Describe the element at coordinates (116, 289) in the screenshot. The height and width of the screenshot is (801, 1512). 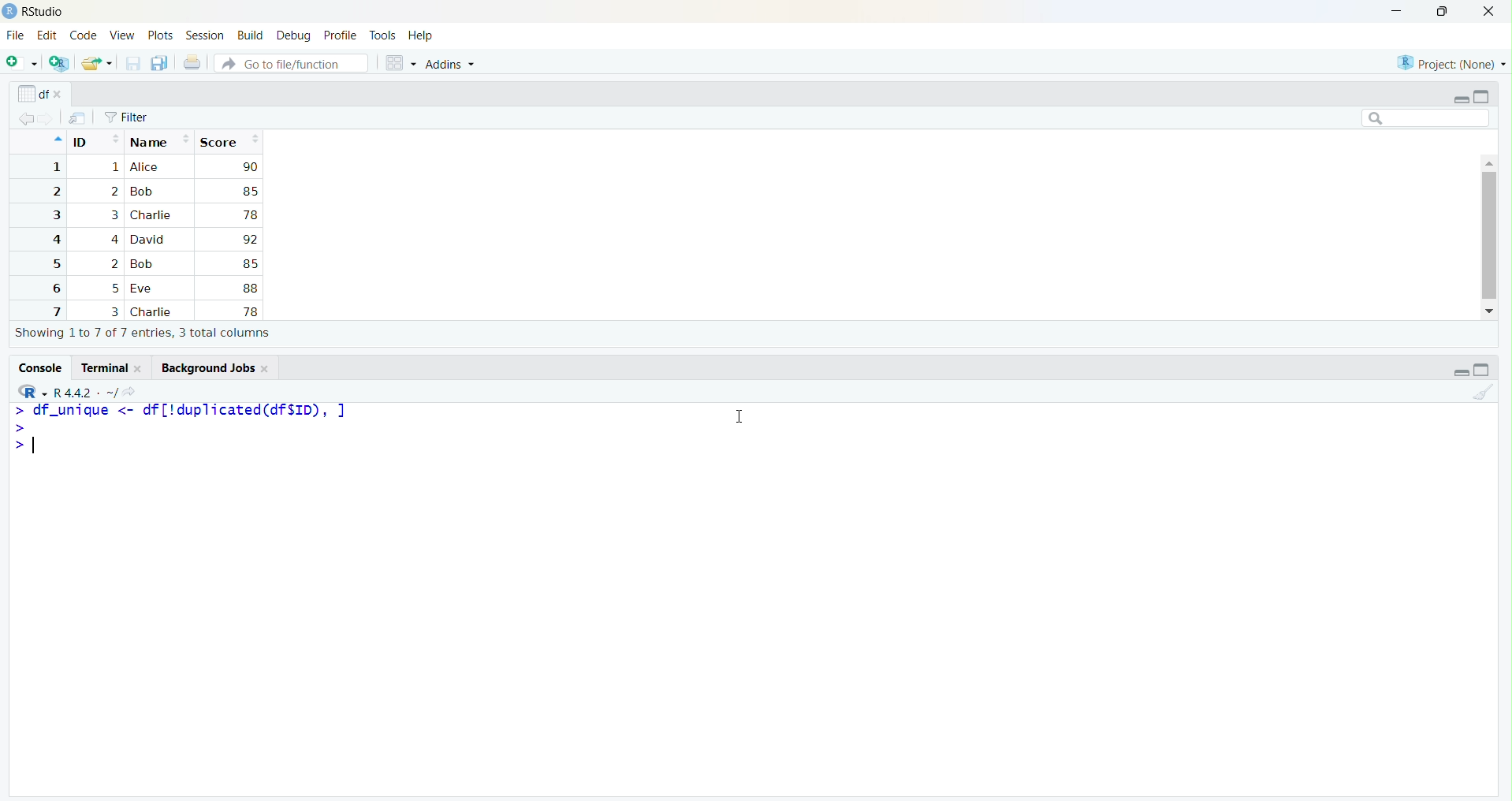
I see `5` at that location.